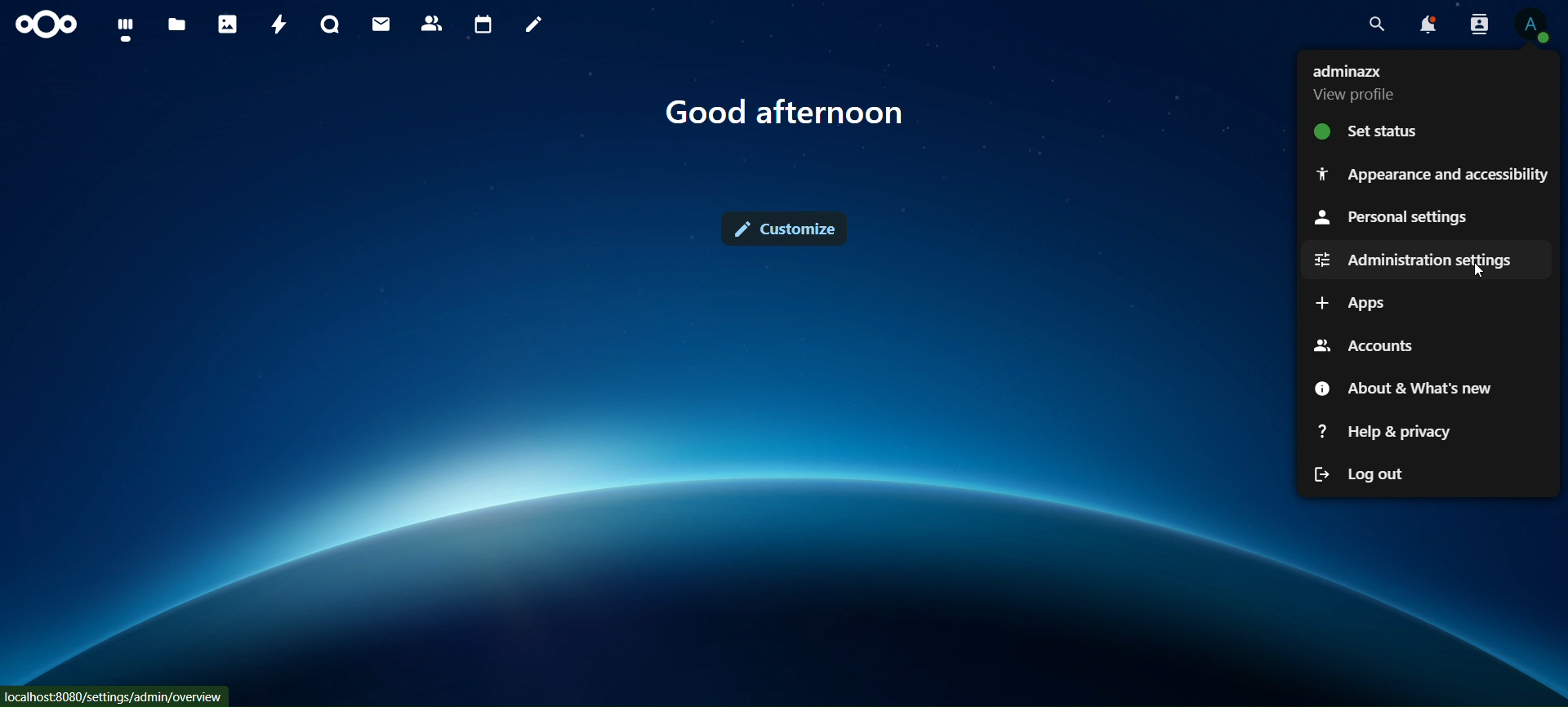 Image resolution: width=1568 pixels, height=707 pixels. What do you see at coordinates (1361, 474) in the screenshot?
I see `log out` at bounding box center [1361, 474].